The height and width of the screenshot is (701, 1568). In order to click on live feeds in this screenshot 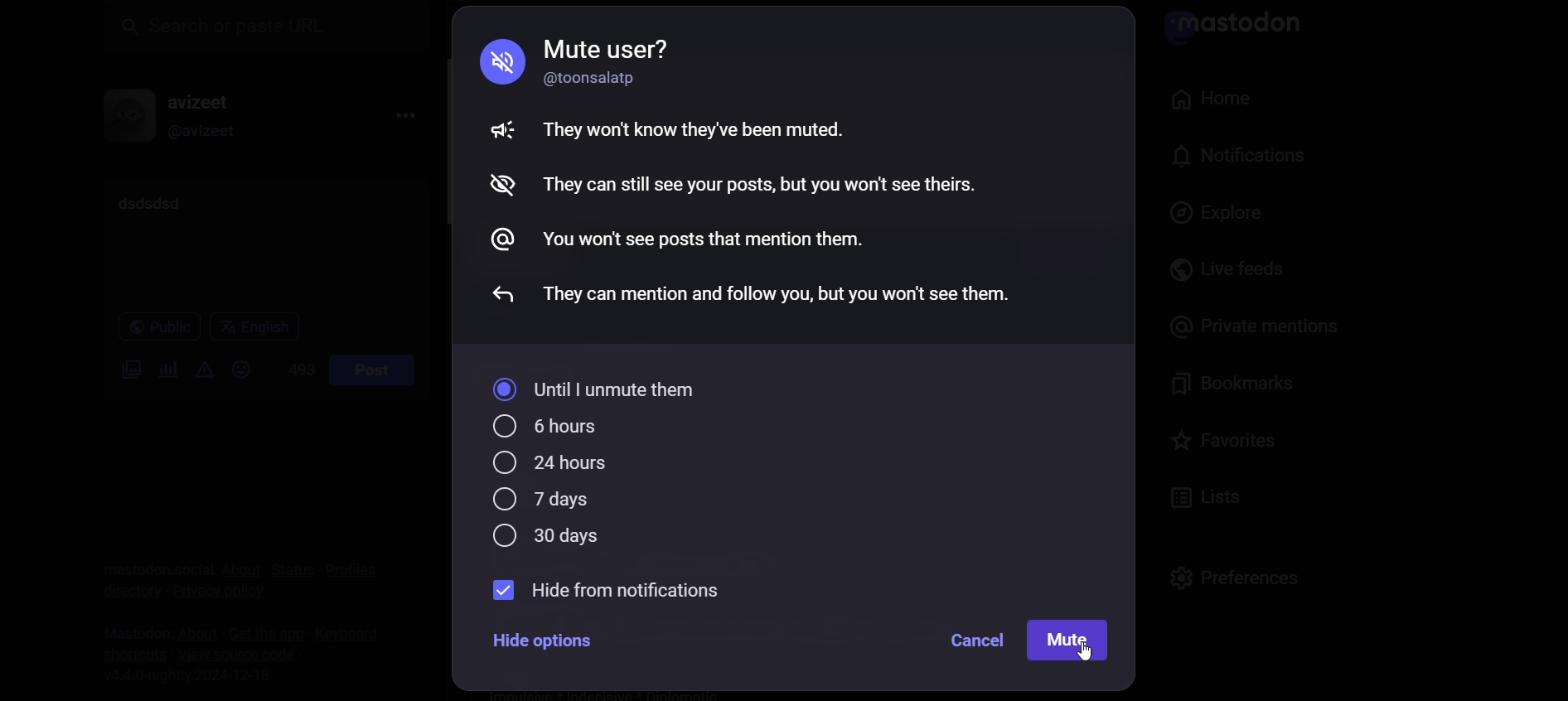, I will do `click(1232, 277)`.